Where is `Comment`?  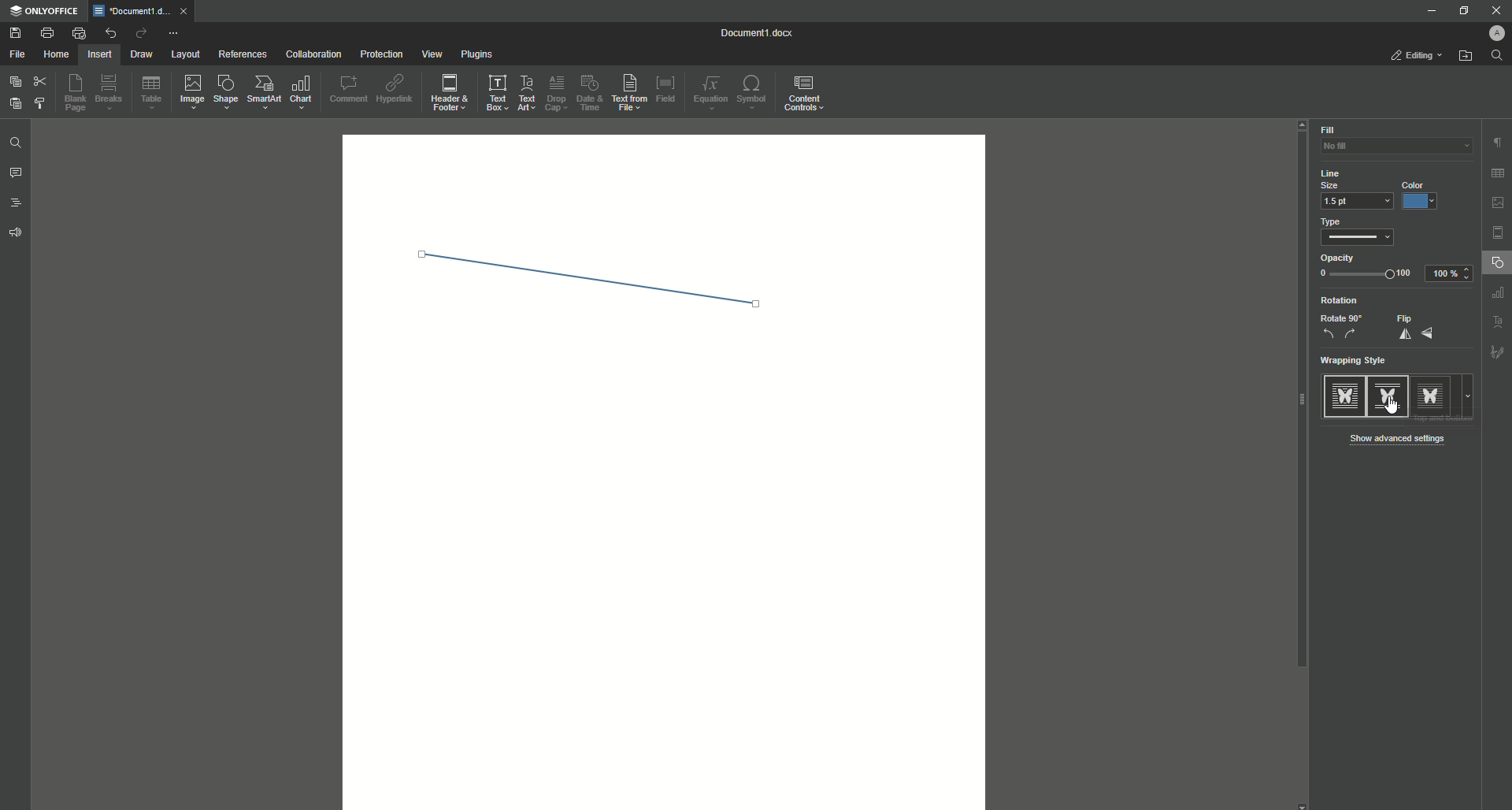
Comment is located at coordinates (348, 88).